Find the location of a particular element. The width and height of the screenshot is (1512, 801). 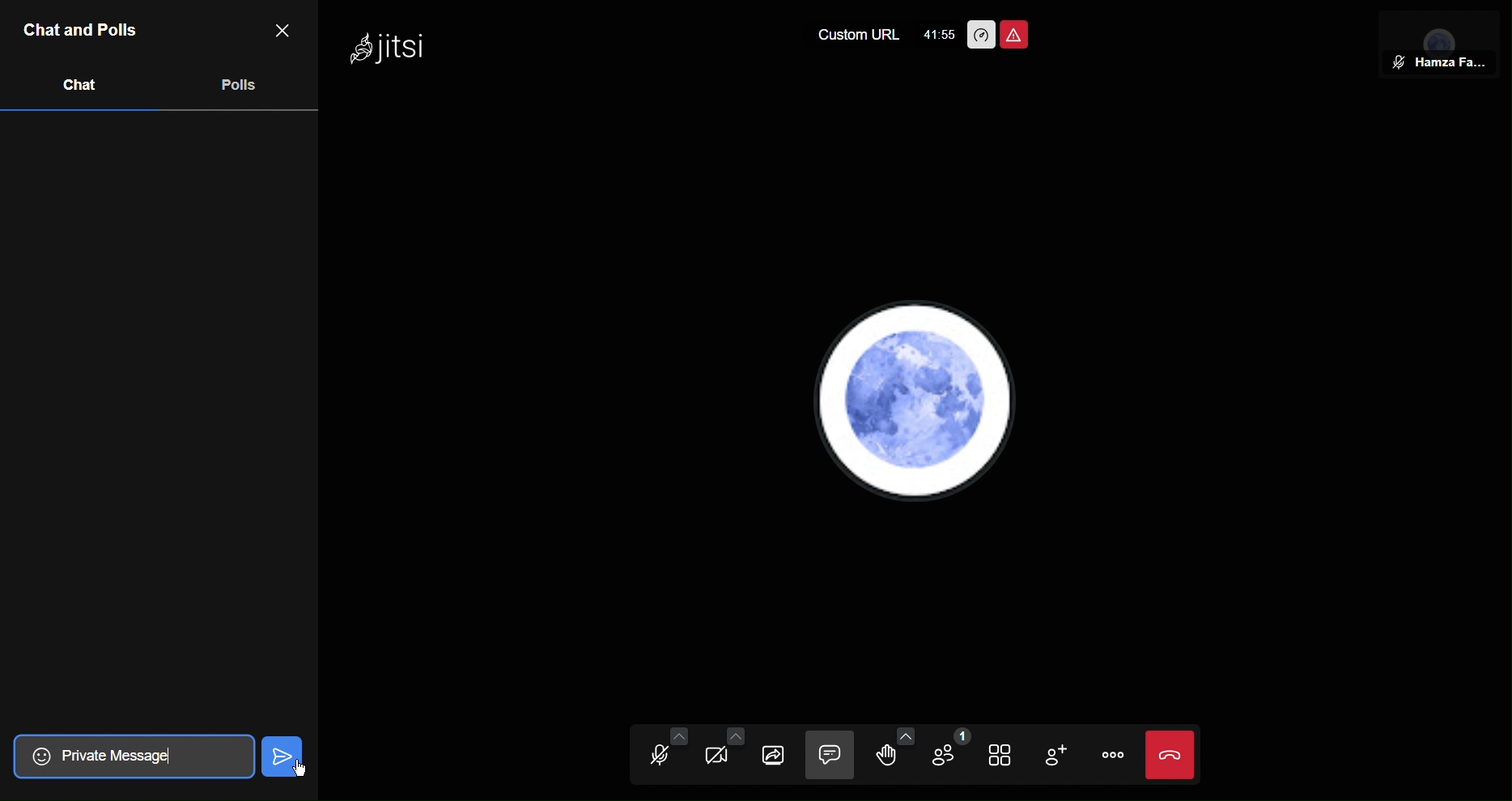

Video is located at coordinates (721, 752).